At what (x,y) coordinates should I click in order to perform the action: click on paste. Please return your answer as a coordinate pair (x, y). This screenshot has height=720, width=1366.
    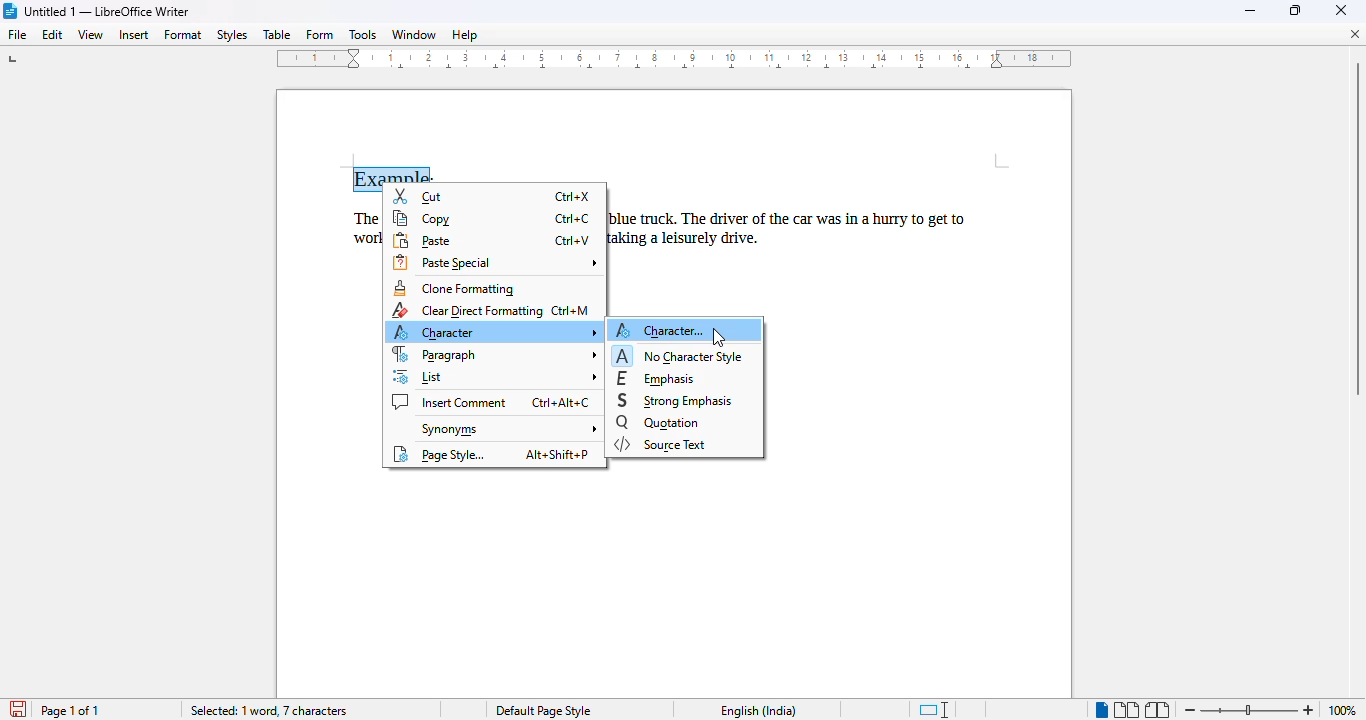
    Looking at the image, I should click on (423, 241).